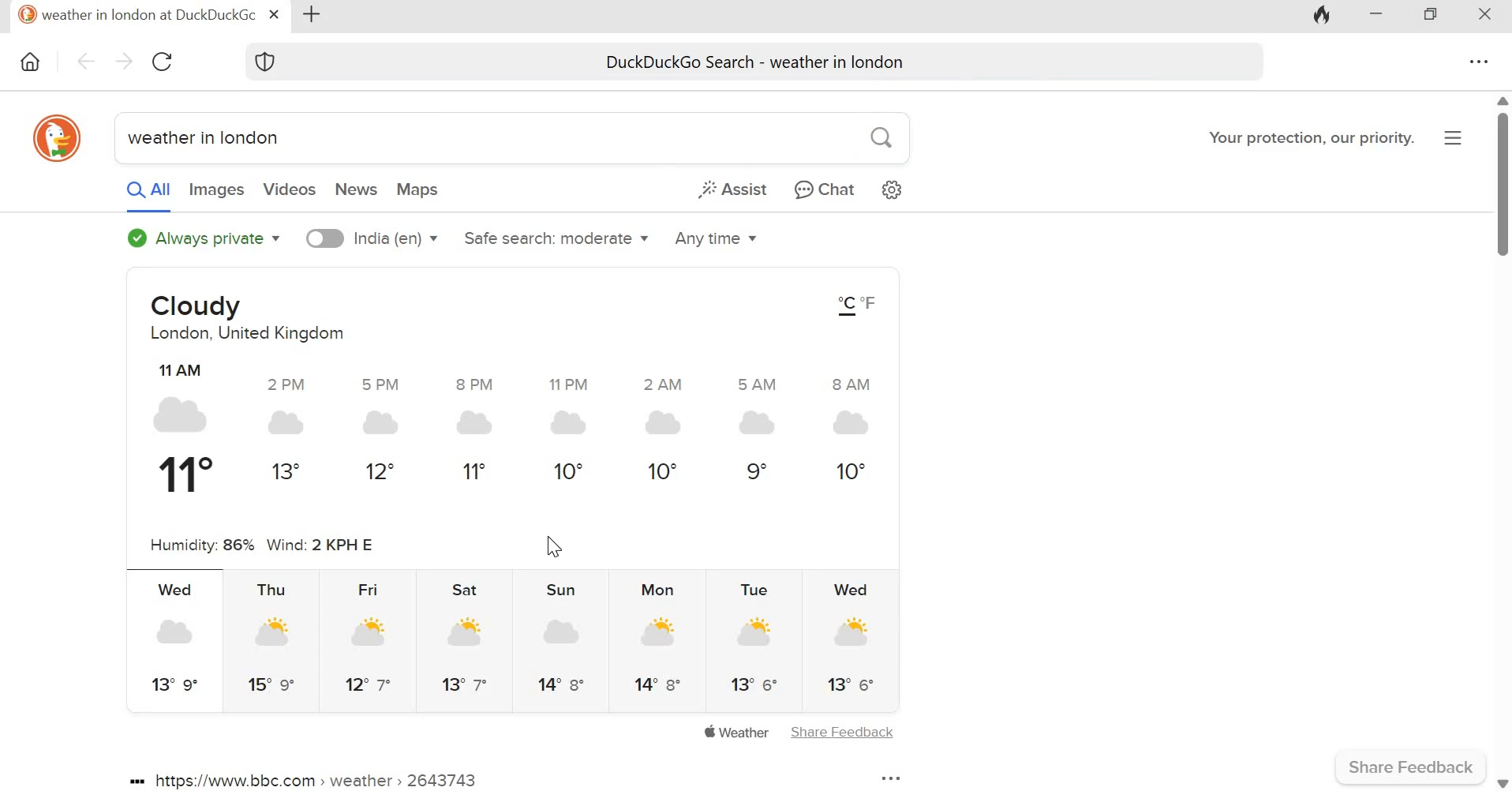 The image size is (1512, 791). Describe the element at coordinates (755, 471) in the screenshot. I see `9°` at that location.